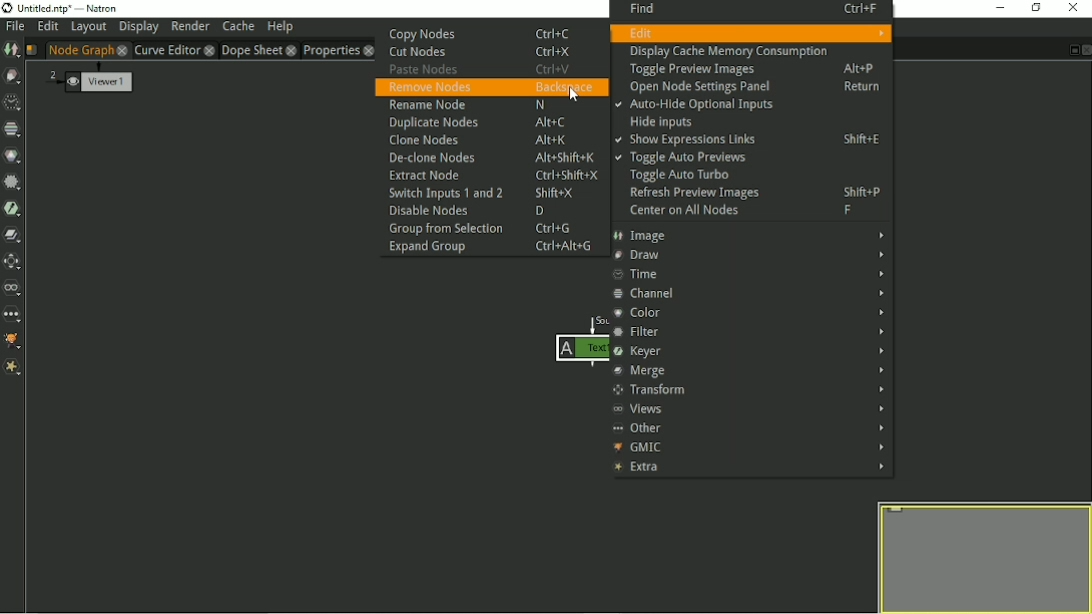 Image resolution: width=1092 pixels, height=614 pixels. Describe the element at coordinates (749, 391) in the screenshot. I see `Transform` at that location.